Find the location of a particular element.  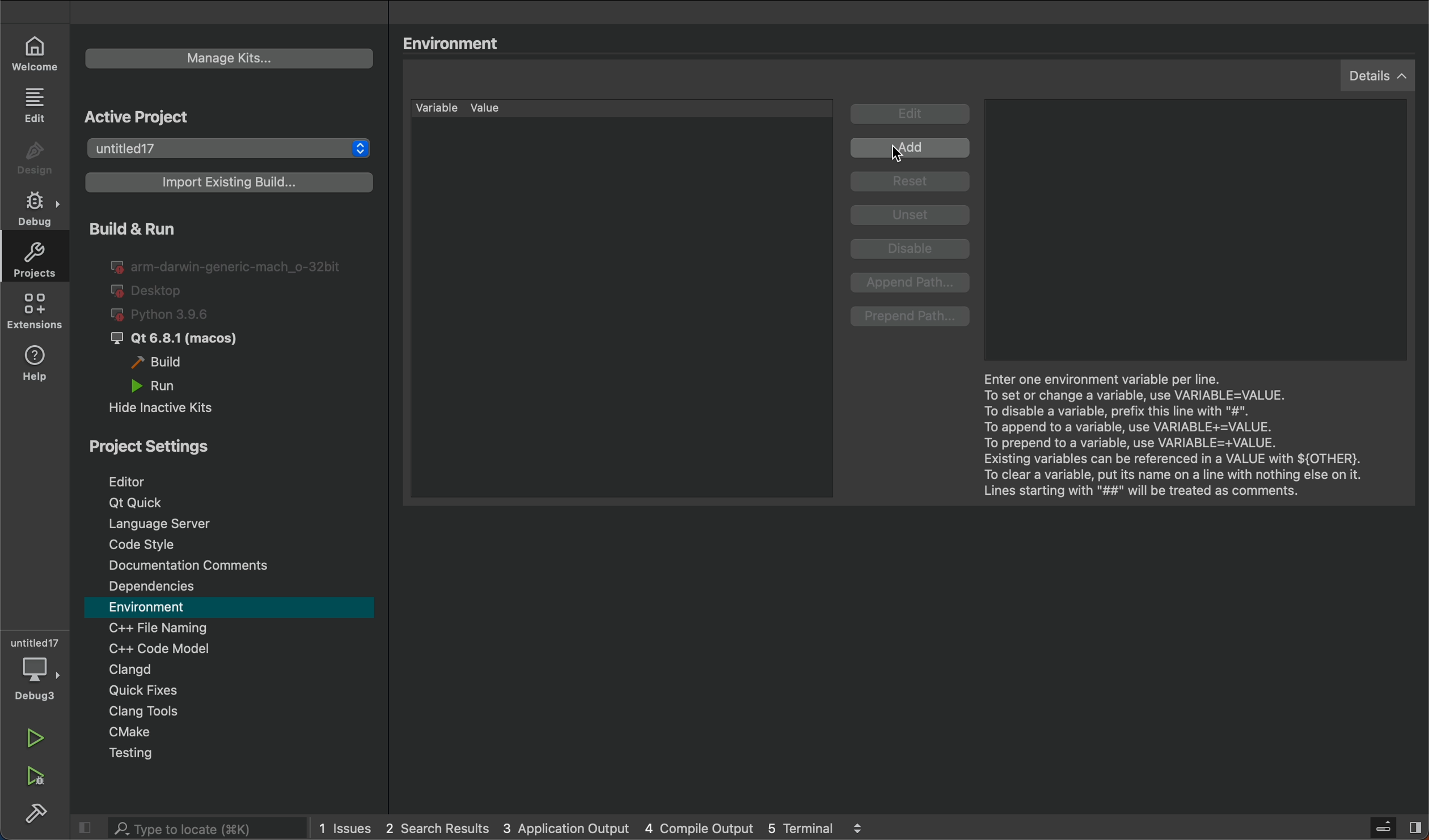

Dependencies  is located at coordinates (233, 587).